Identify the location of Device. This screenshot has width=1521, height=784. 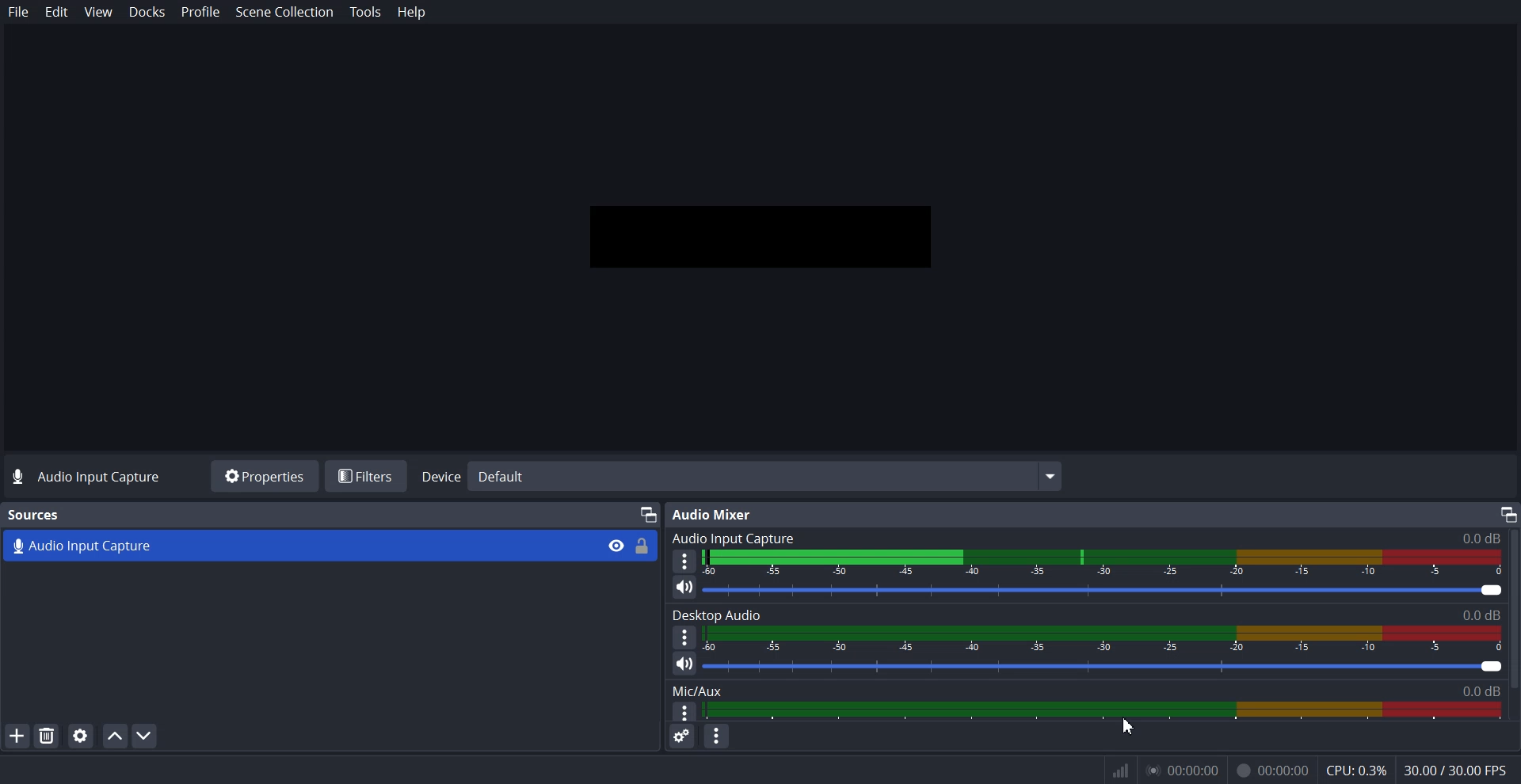
(742, 476).